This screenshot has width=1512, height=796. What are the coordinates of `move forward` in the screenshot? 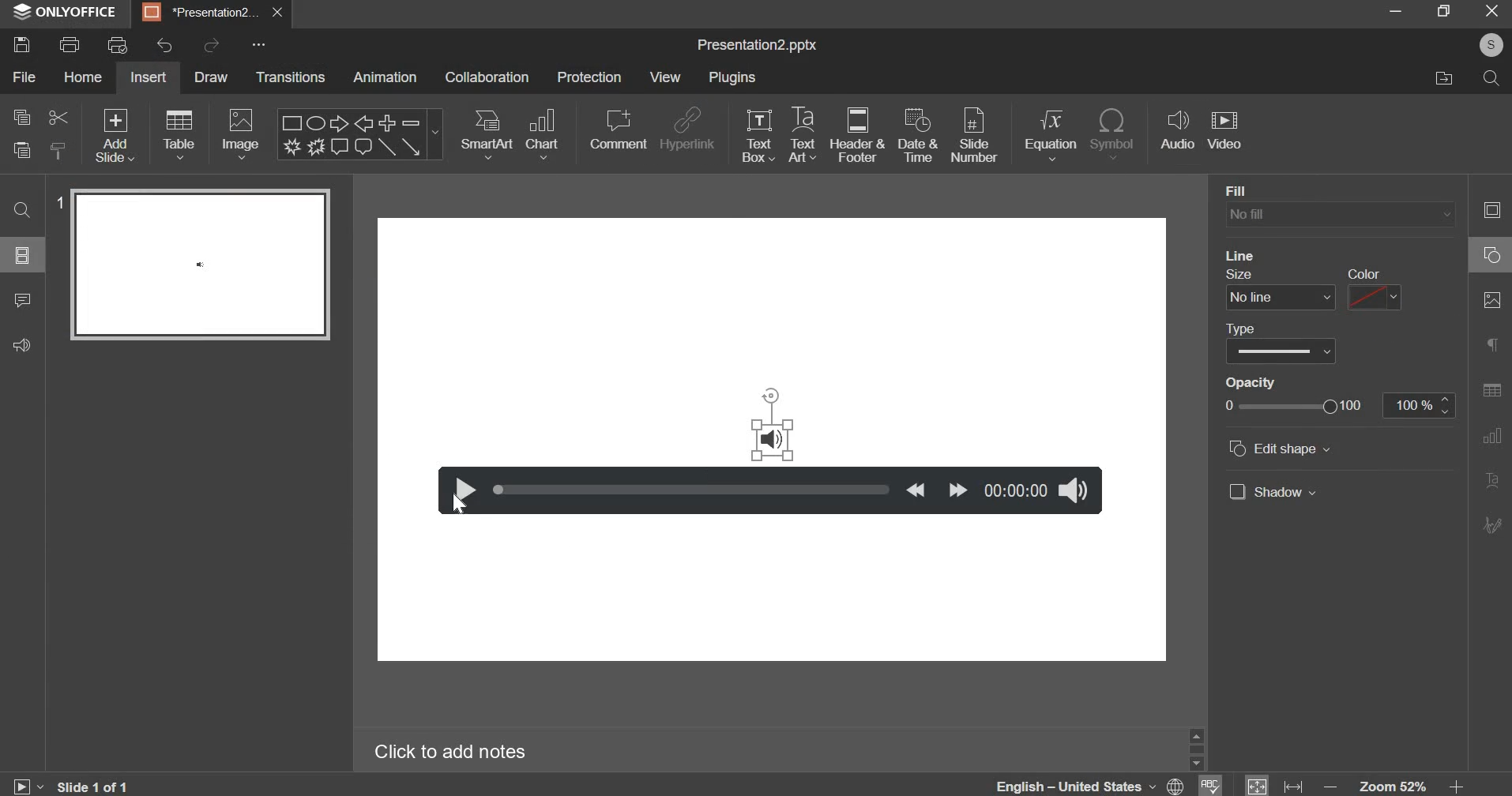 It's located at (957, 490).